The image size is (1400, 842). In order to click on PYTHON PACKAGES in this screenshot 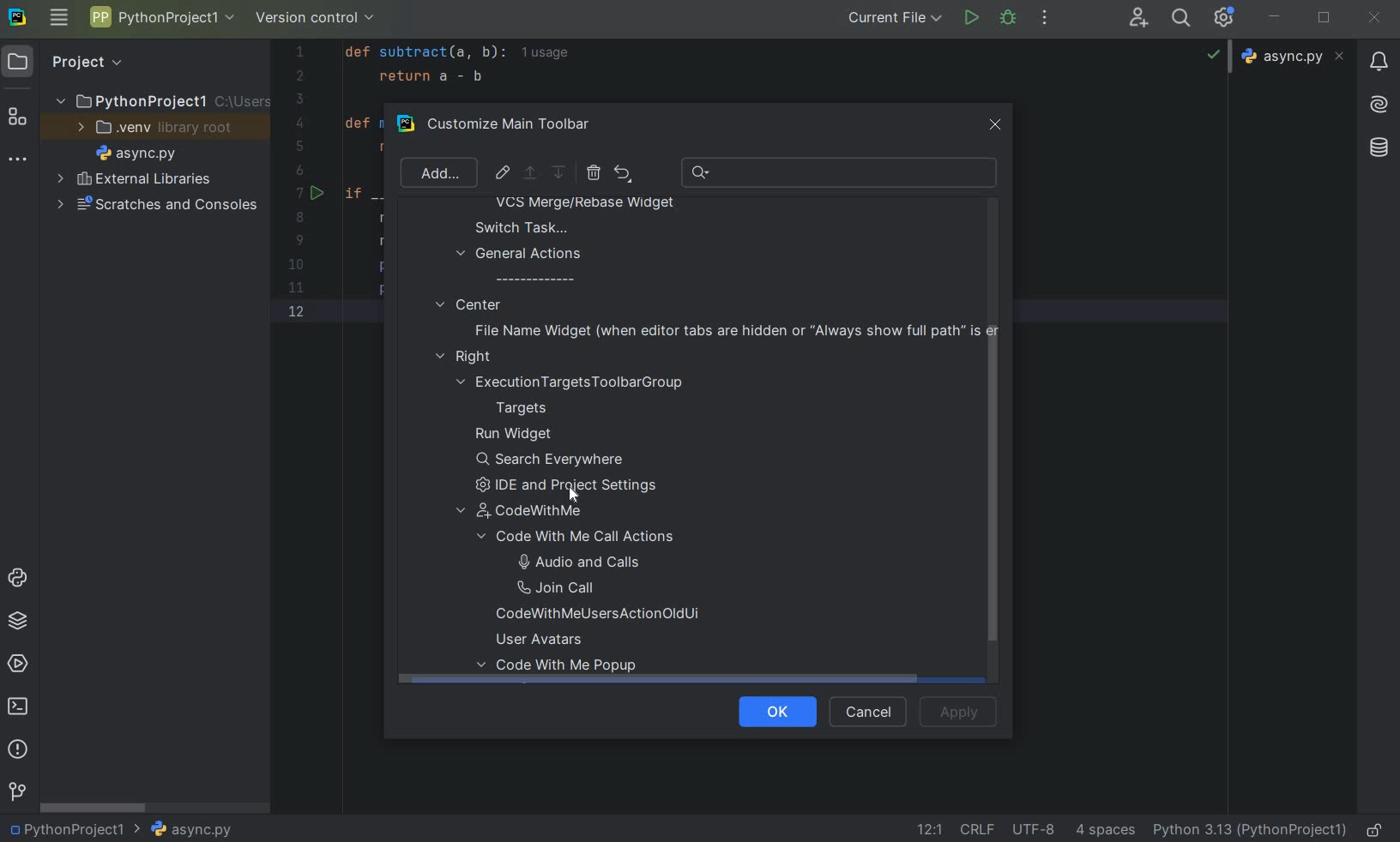, I will do `click(17, 623)`.